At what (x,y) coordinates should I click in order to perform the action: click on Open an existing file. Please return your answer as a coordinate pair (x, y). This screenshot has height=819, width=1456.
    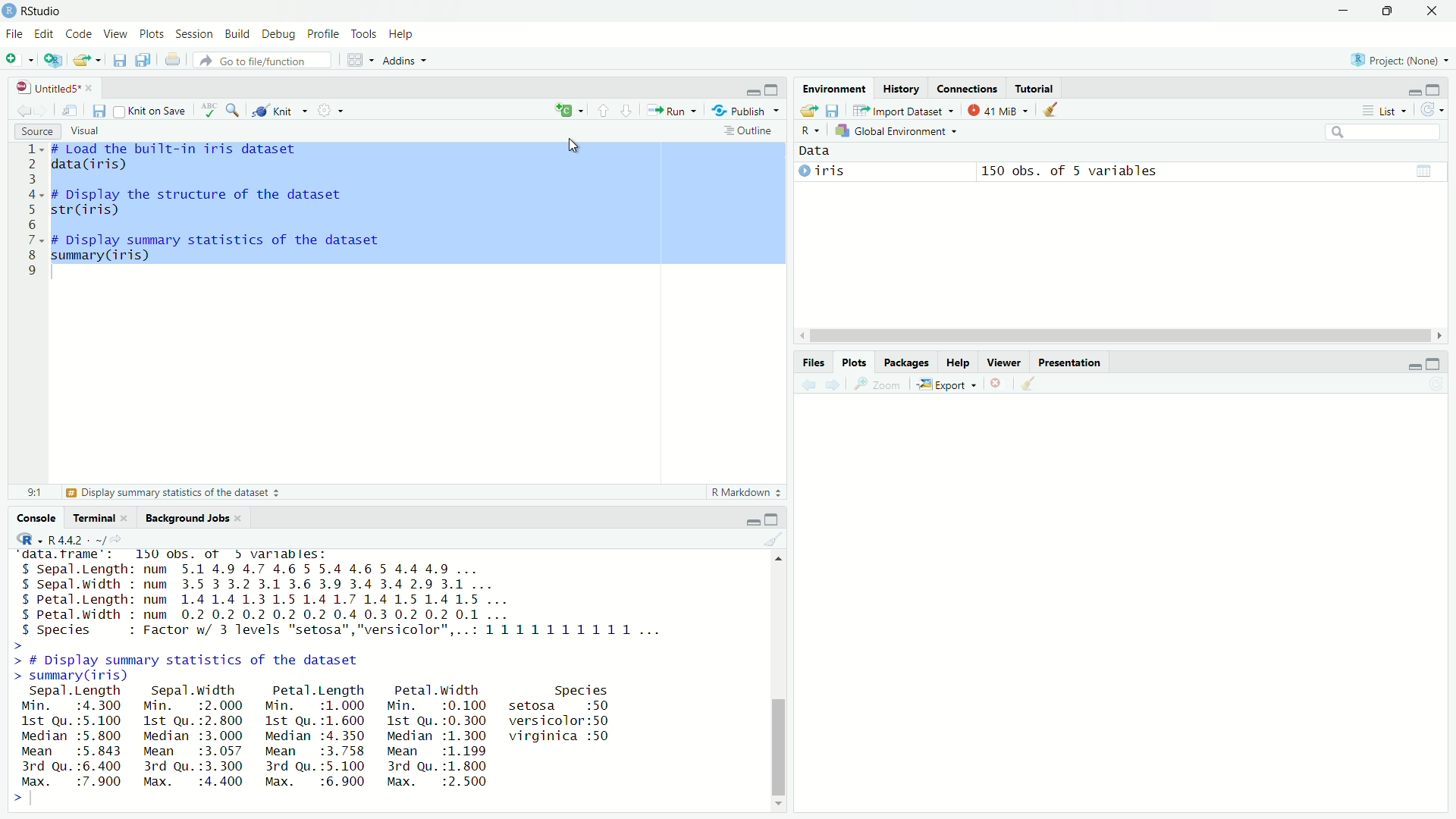
    Looking at the image, I should click on (87, 61).